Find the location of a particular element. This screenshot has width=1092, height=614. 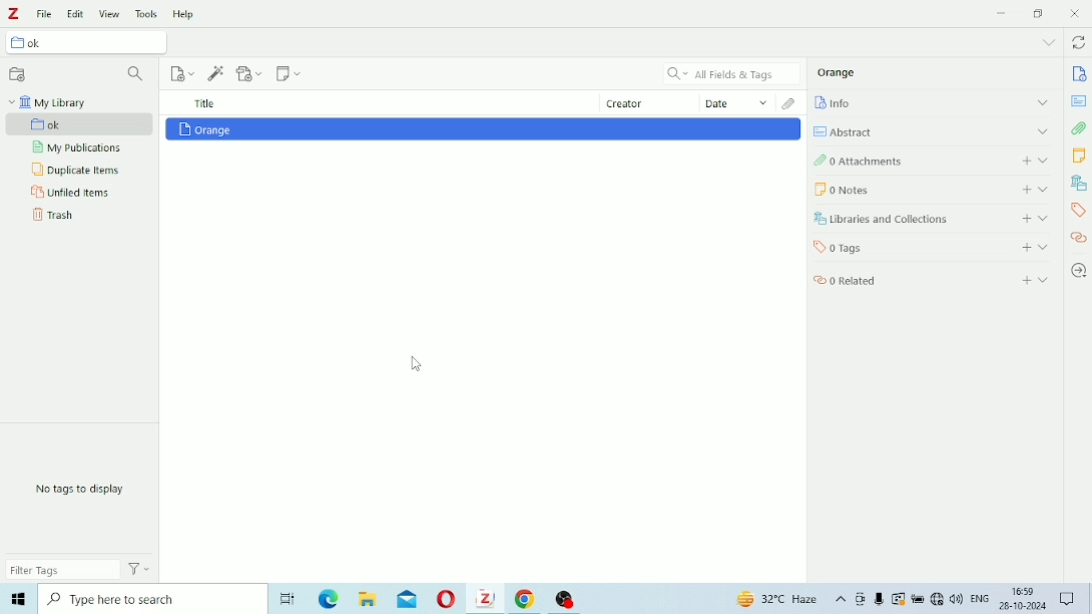

Meet Now is located at coordinates (861, 599).